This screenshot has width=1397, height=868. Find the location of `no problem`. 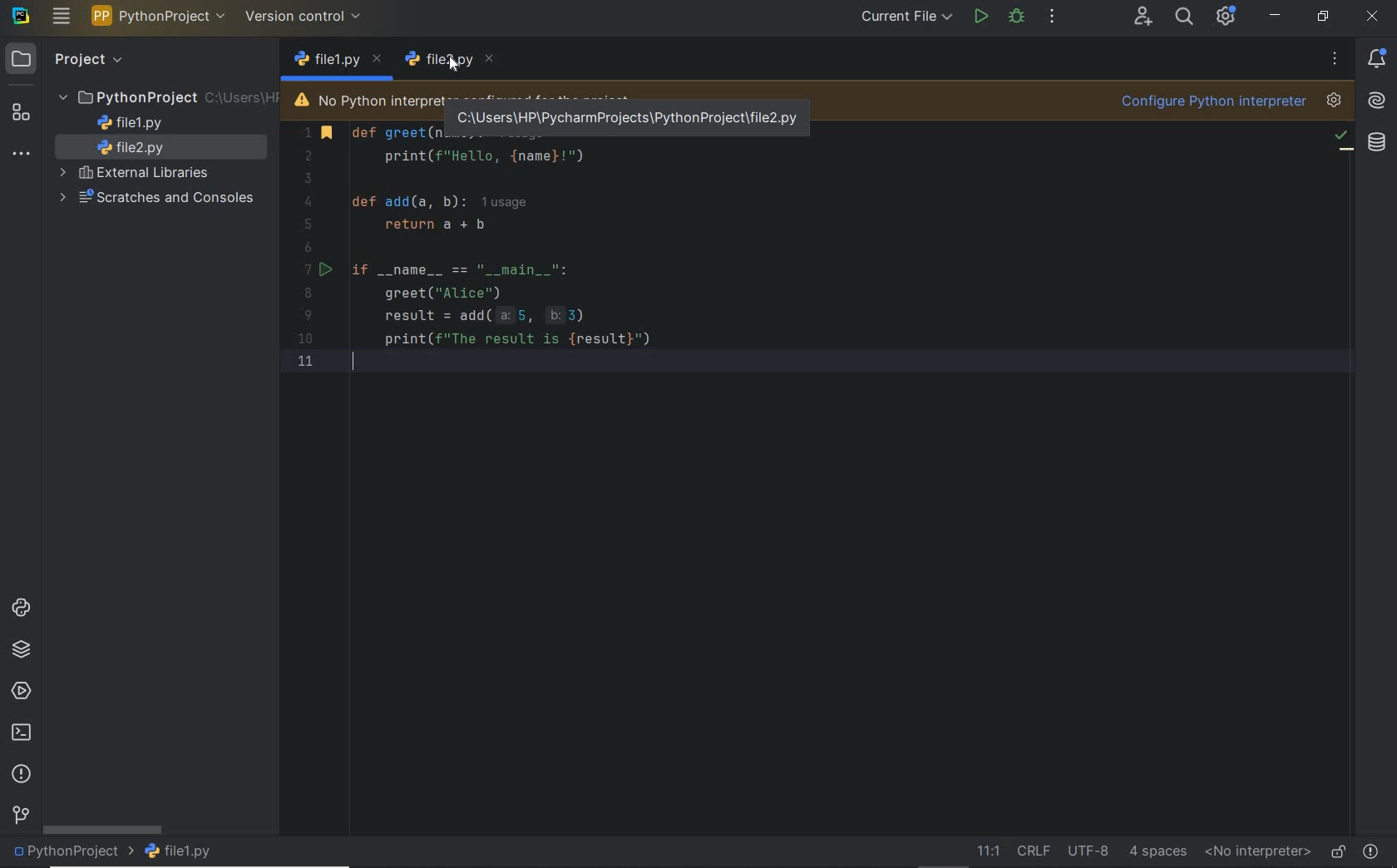

no problem is located at coordinates (1340, 137).